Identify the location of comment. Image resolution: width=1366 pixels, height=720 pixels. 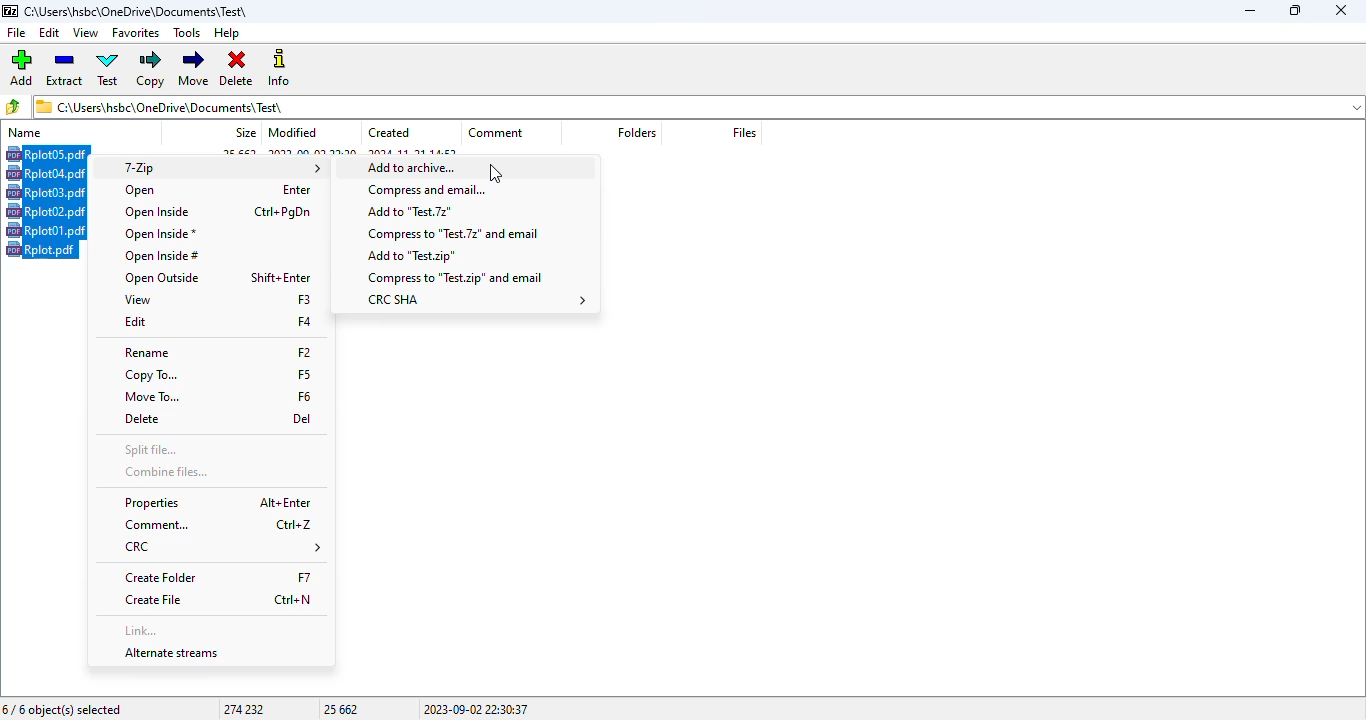
(221, 524).